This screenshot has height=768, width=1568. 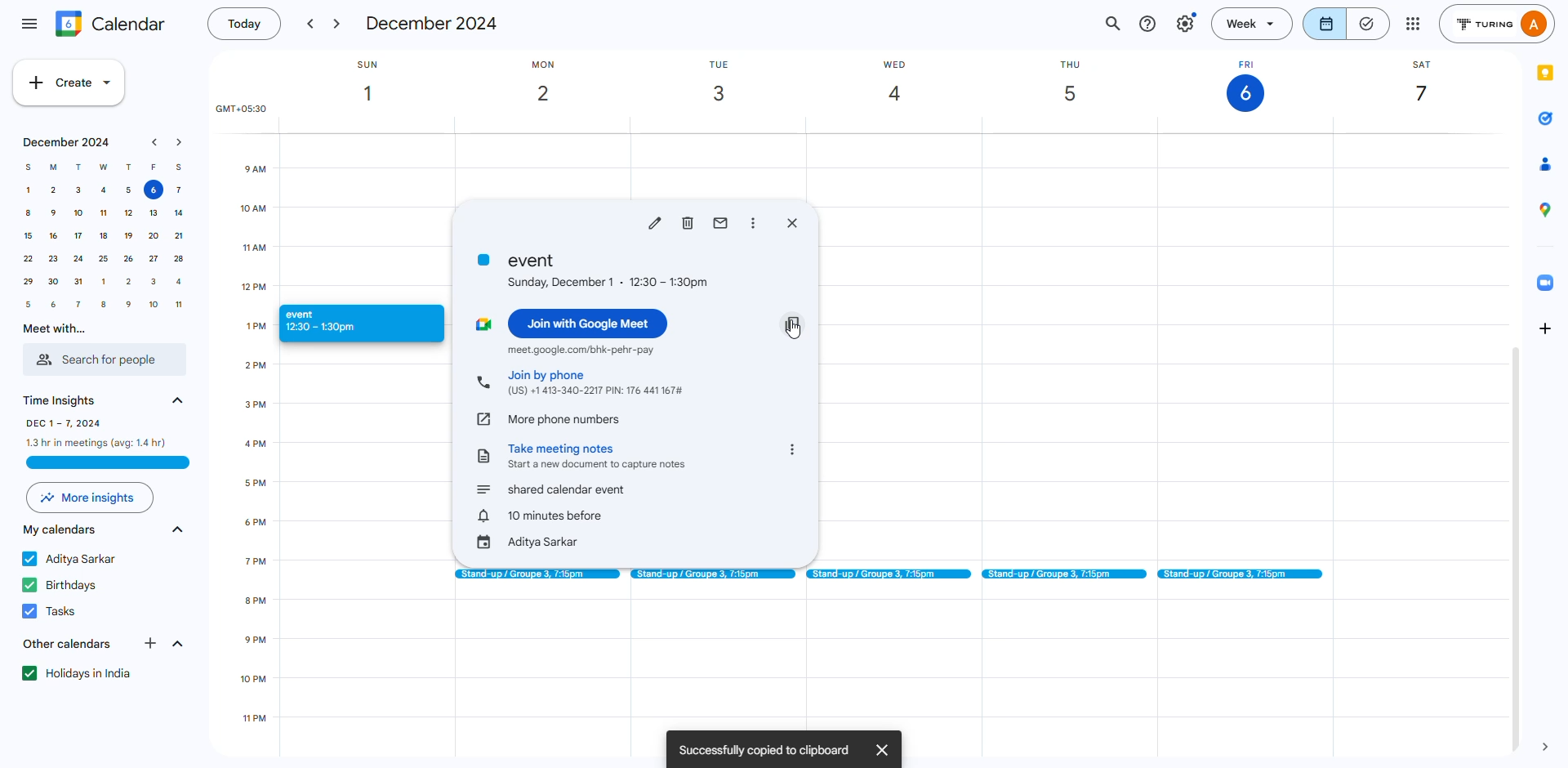 I want to click on 29, so click(x=29, y=282).